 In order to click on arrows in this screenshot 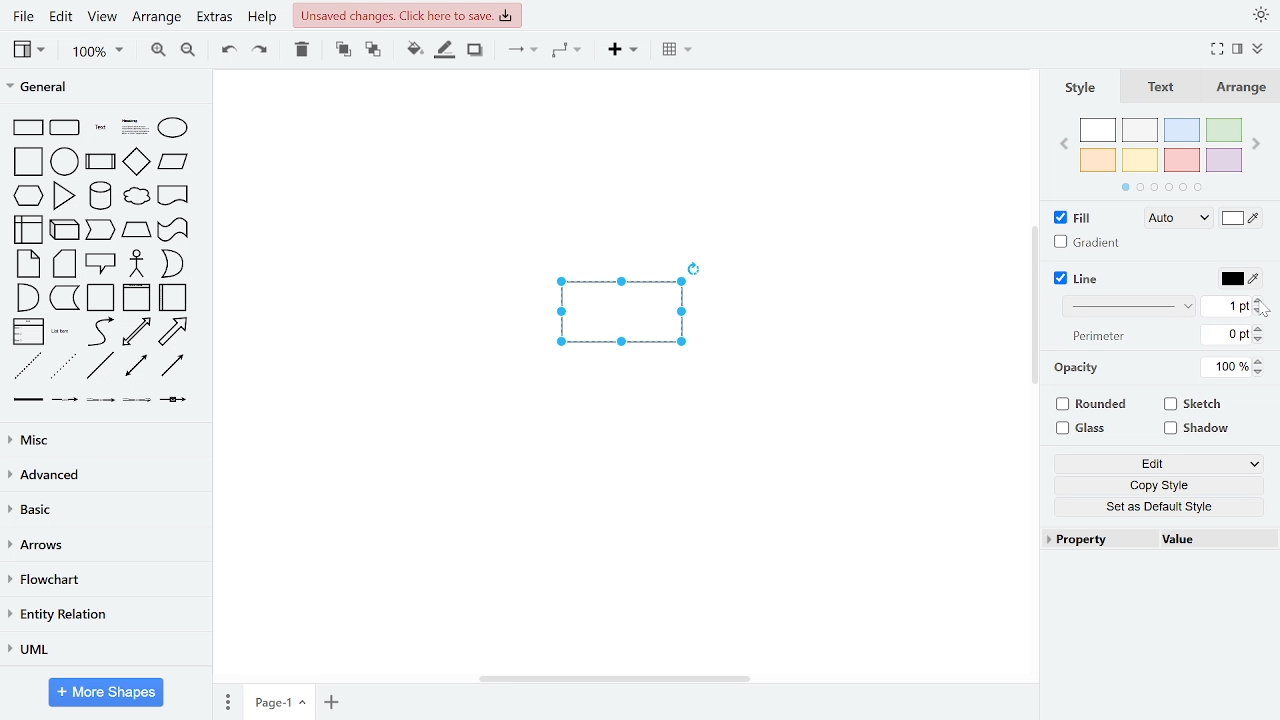, I will do `click(102, 545)`.